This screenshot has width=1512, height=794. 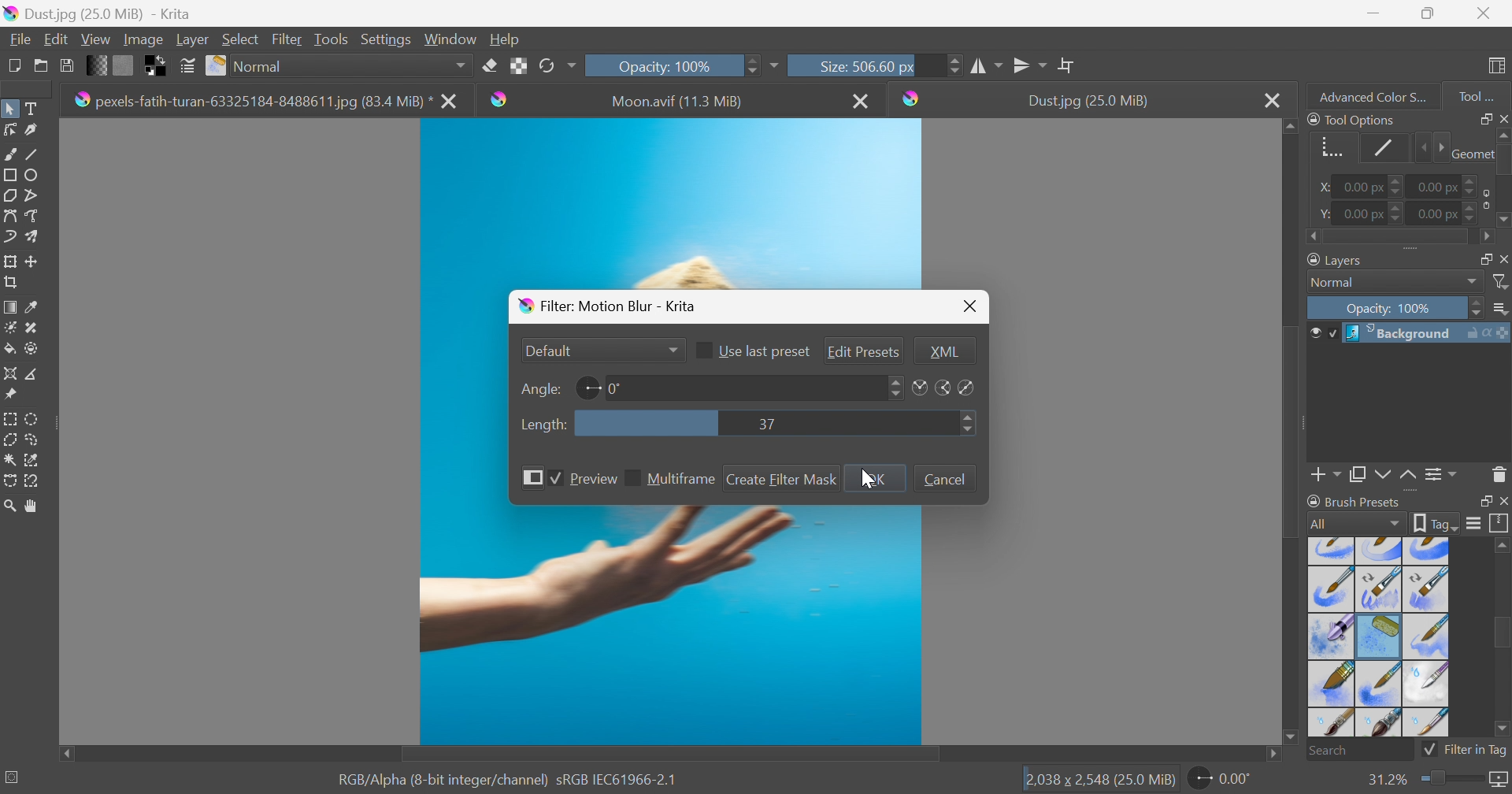 What do you see at coordinates (1472, 216) in the screenshot?
I see `Slider` at bounding box center [1472, 216].